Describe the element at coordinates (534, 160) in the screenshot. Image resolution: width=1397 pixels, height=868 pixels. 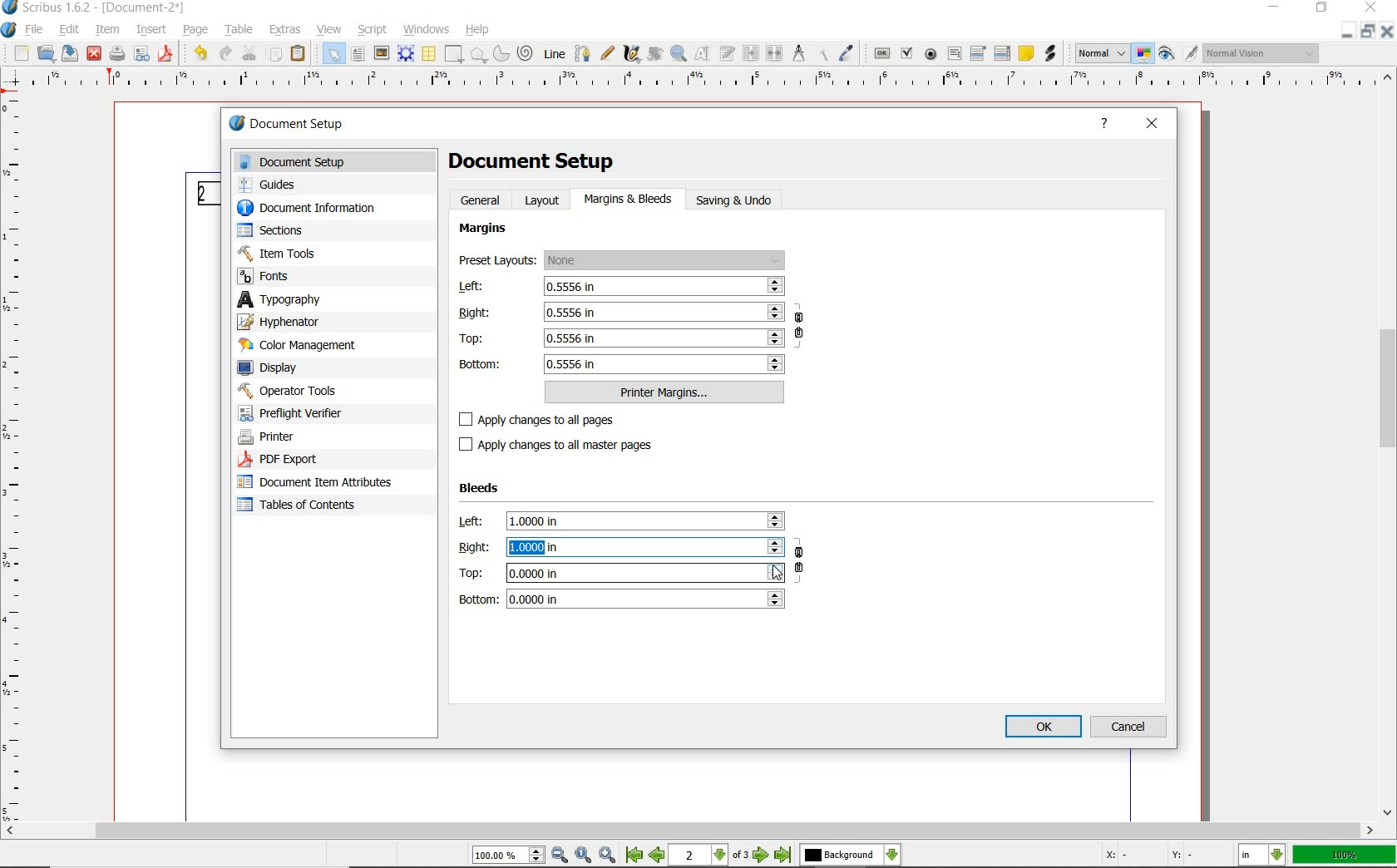
I see `document setup` at that location.